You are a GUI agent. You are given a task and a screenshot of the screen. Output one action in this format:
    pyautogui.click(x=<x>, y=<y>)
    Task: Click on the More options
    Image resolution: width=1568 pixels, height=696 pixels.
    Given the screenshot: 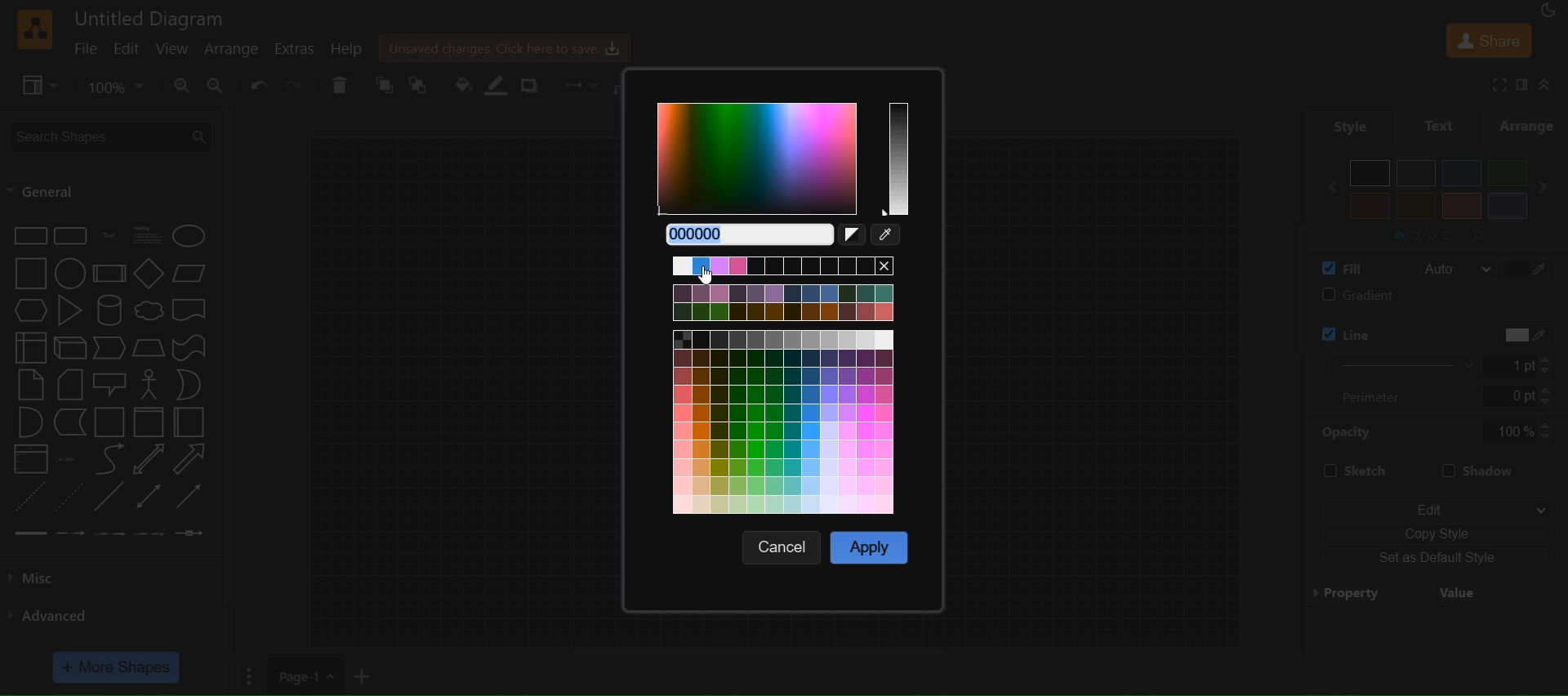 What is the action you would take?
    pyautogui.click(x=247, y=676)
    